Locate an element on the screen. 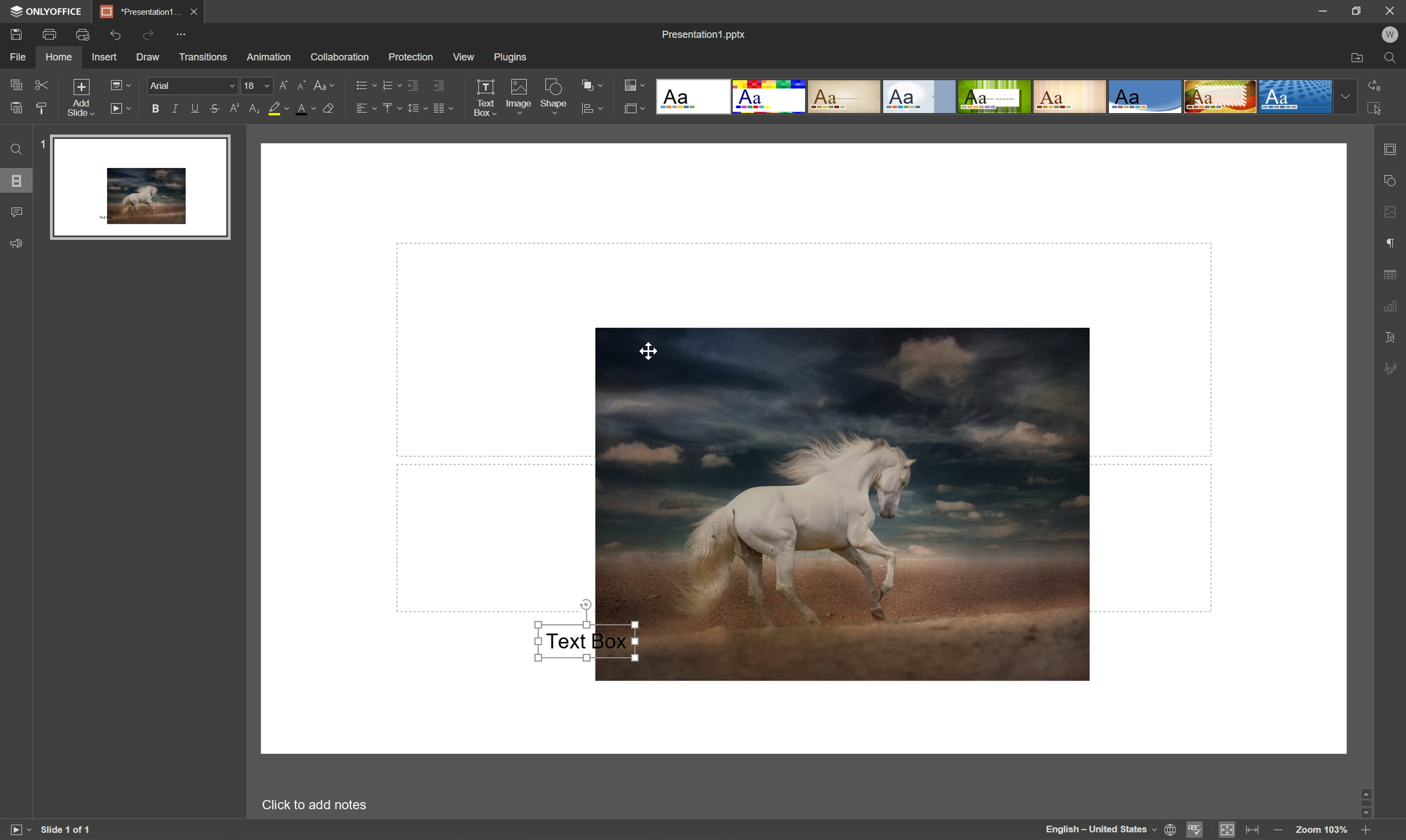 This screenshot has width=1406, height=840. Slide 1 of 1 is located at coordinates (66, 832).